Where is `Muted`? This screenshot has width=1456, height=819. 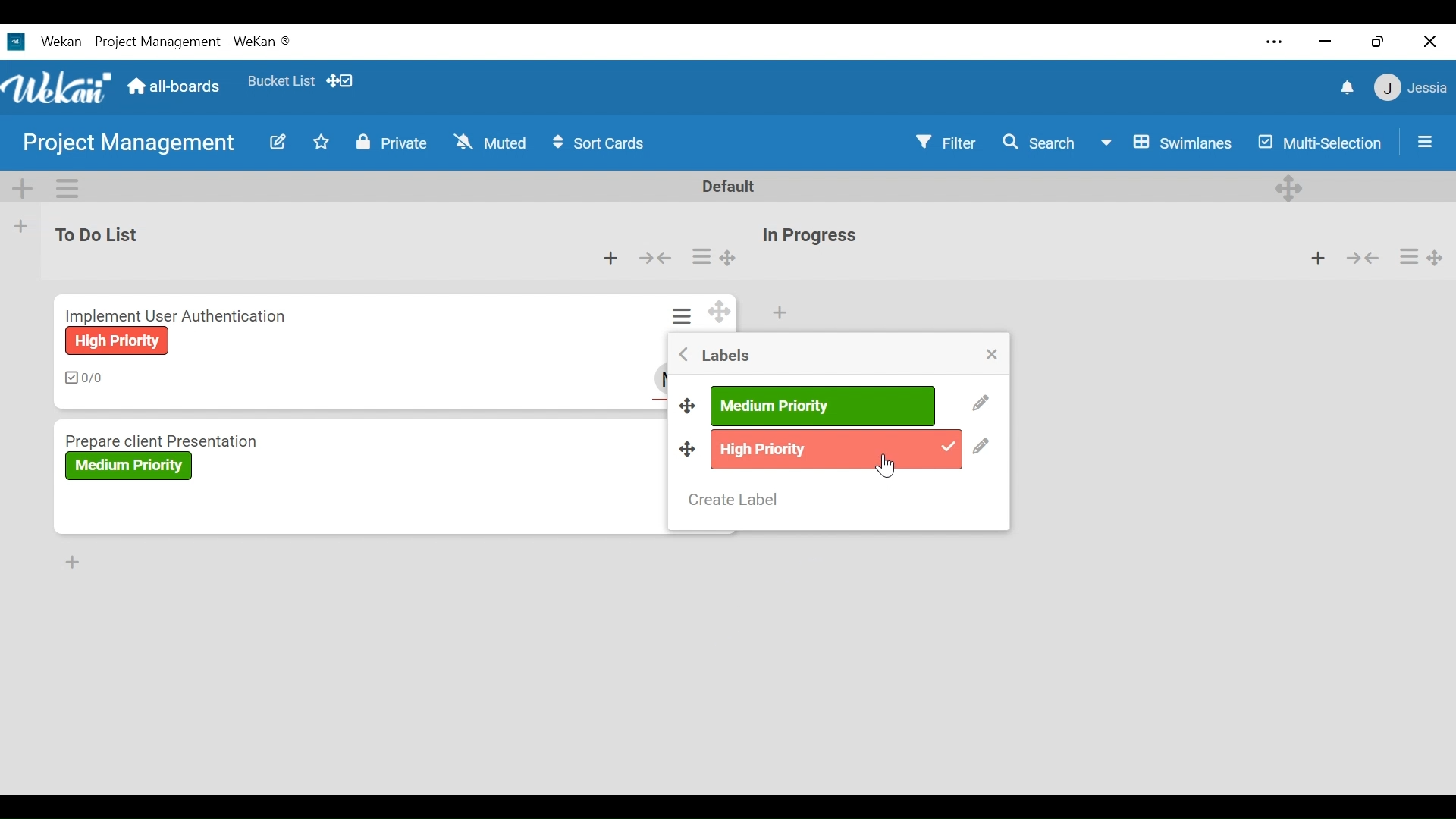 Muted is located at coordinates (490, 142).